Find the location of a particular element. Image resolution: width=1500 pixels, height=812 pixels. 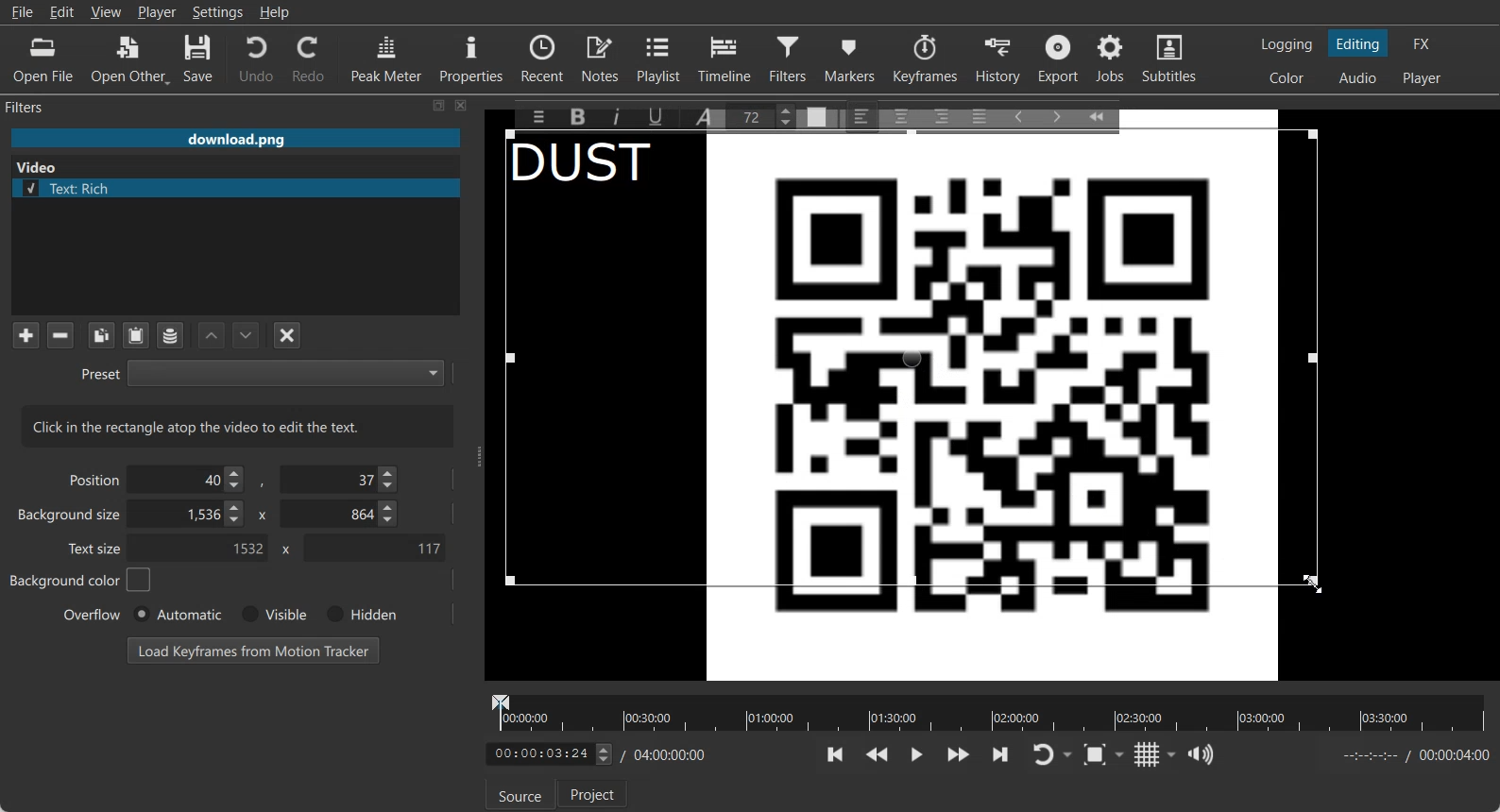

Frame Size is located at coordinates (1310, 579).